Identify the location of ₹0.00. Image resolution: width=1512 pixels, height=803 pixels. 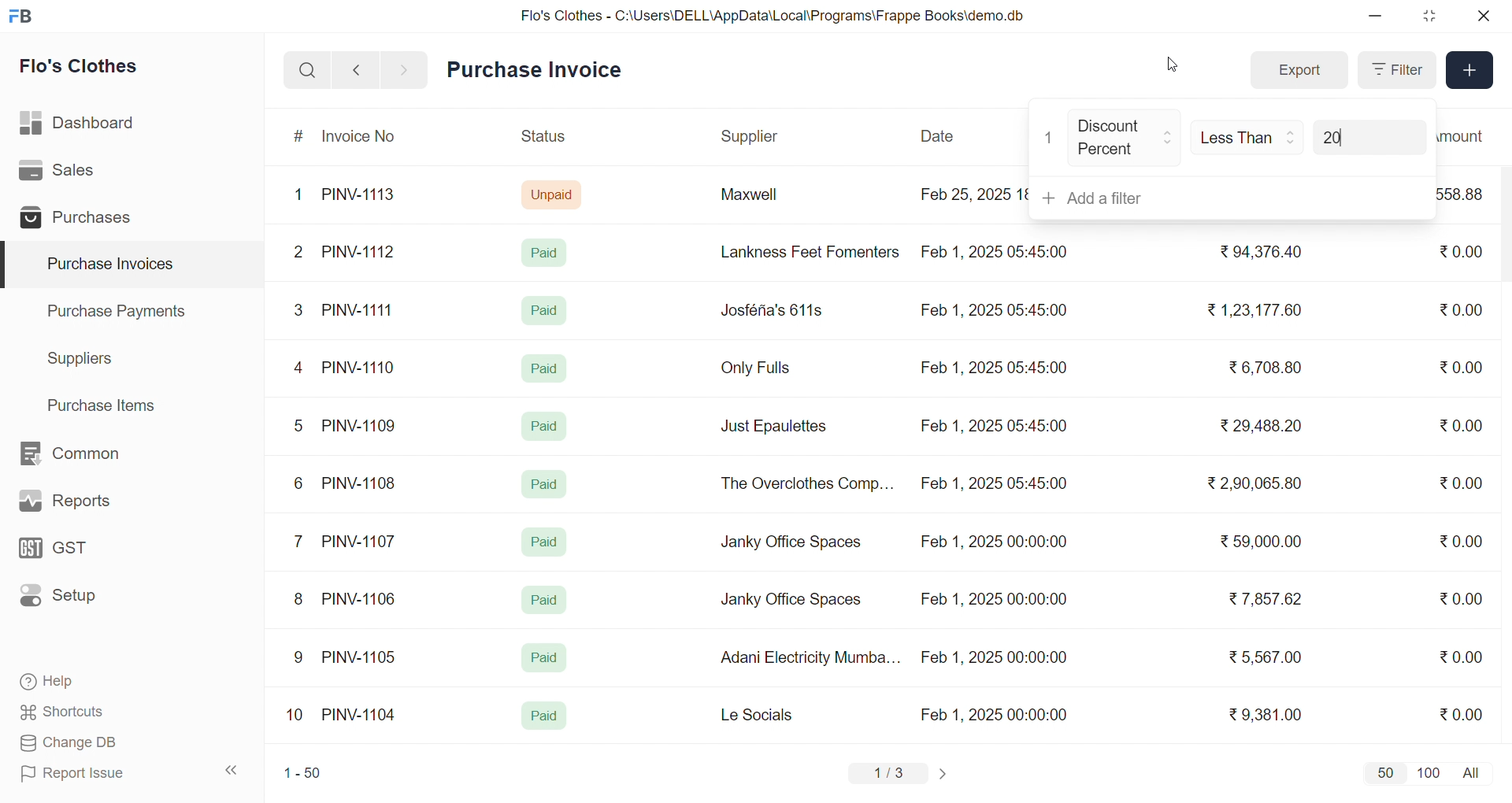
(1460, 485).